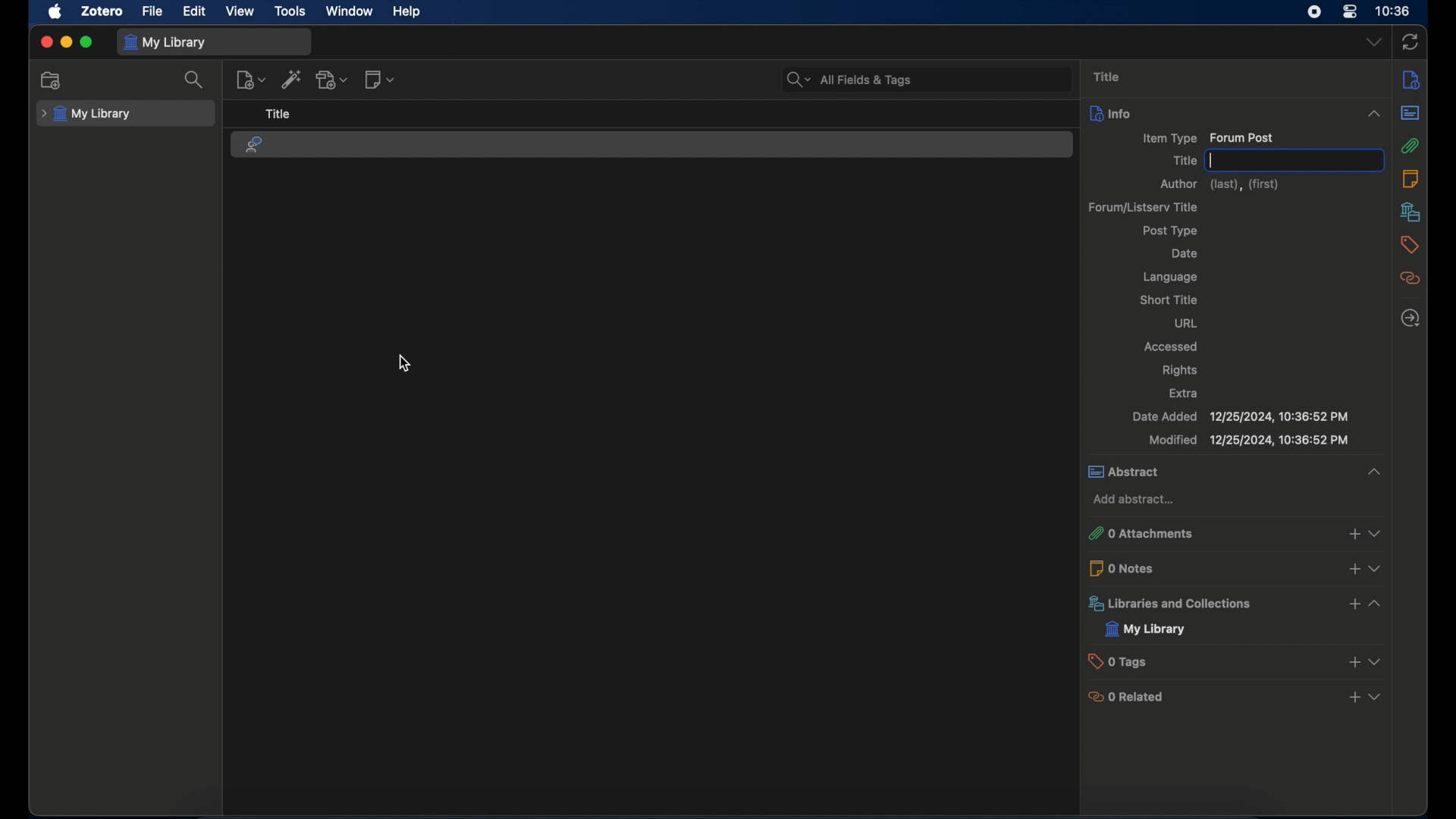 Image resolution: width=1456 pixels, height=819 pixels. What do you see at coordinates (197, 11) in the screenshot?
I see `edit` at bounding box center [197, 11].